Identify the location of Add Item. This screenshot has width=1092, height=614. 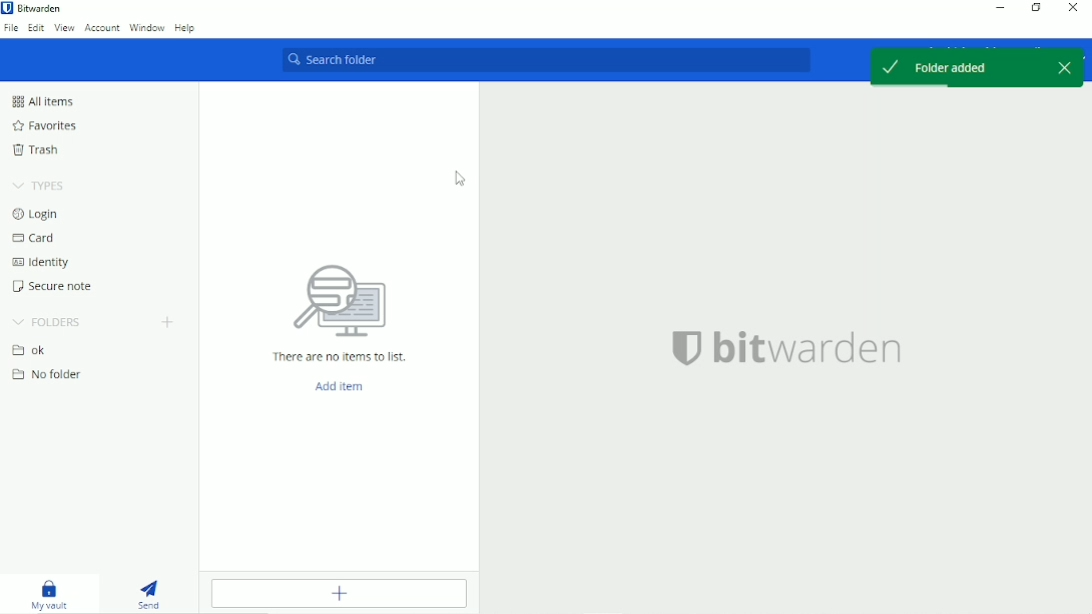
(345, 386).